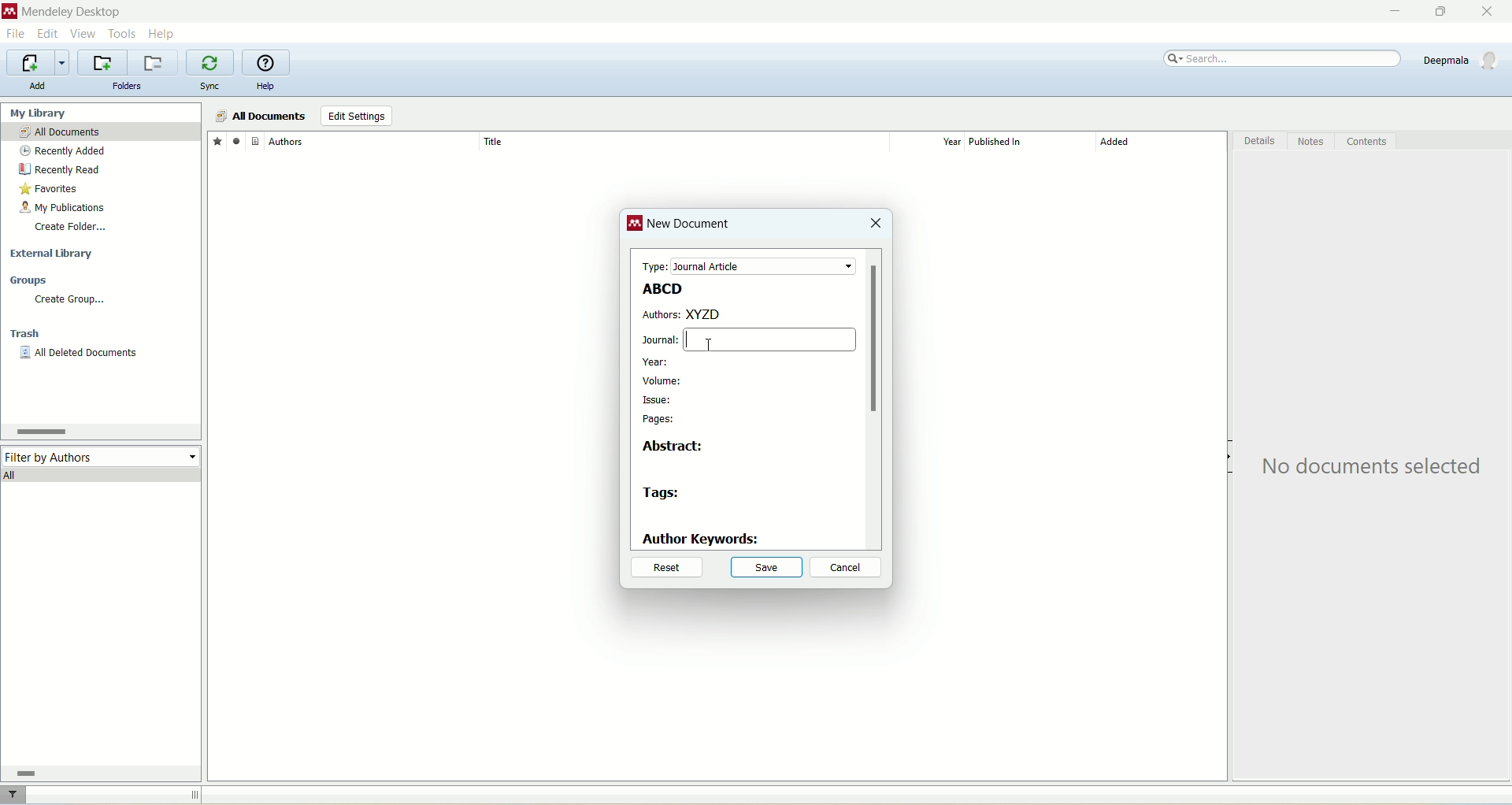 Image resolution: width=1512 pixels, height=805 pixels. What do you see at coordinates (678, 446) in the screenshot?
I see `abstract` at bounding box center [678, 446].